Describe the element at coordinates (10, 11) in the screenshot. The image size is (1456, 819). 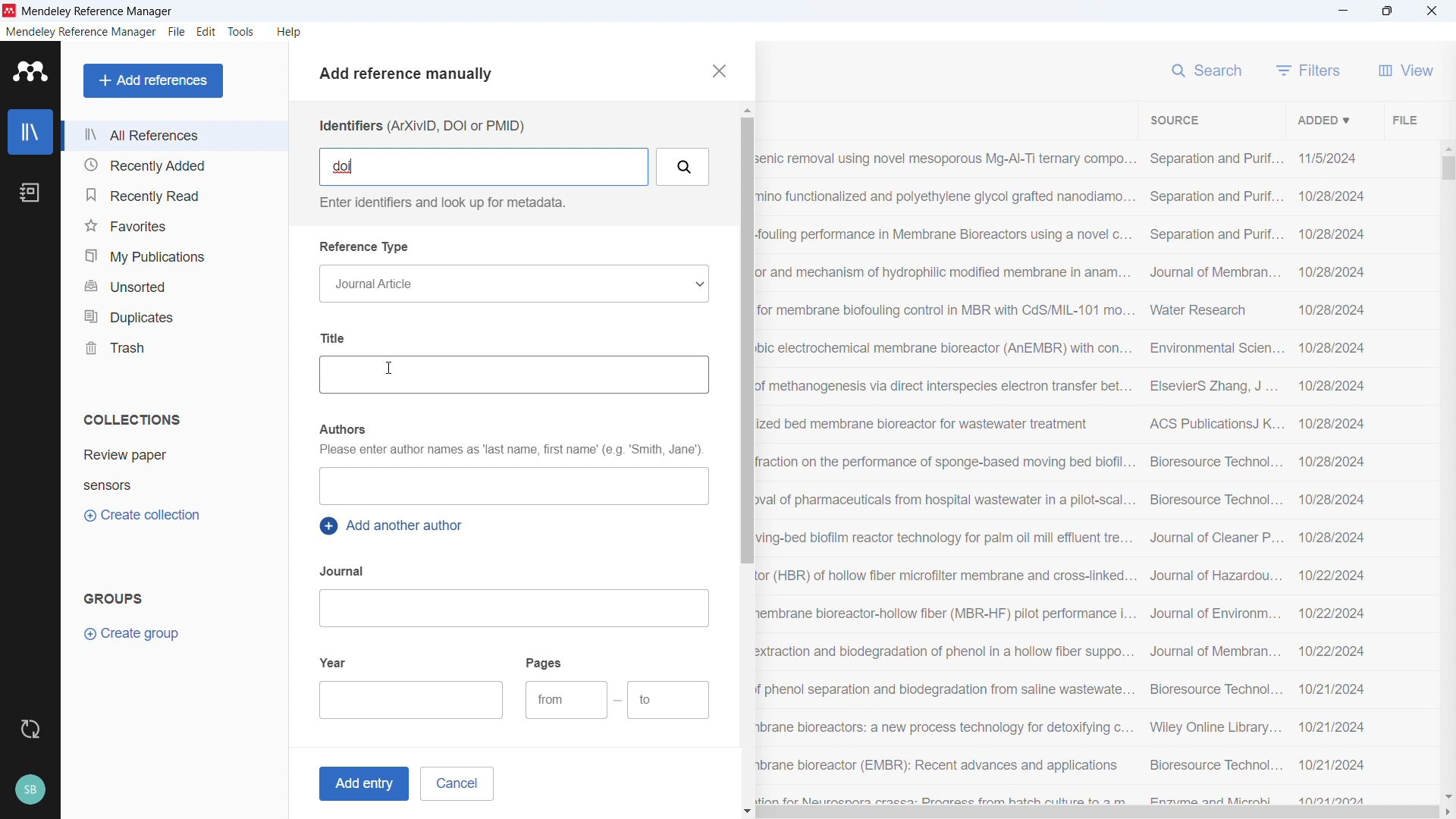
I see `logo` at that location.